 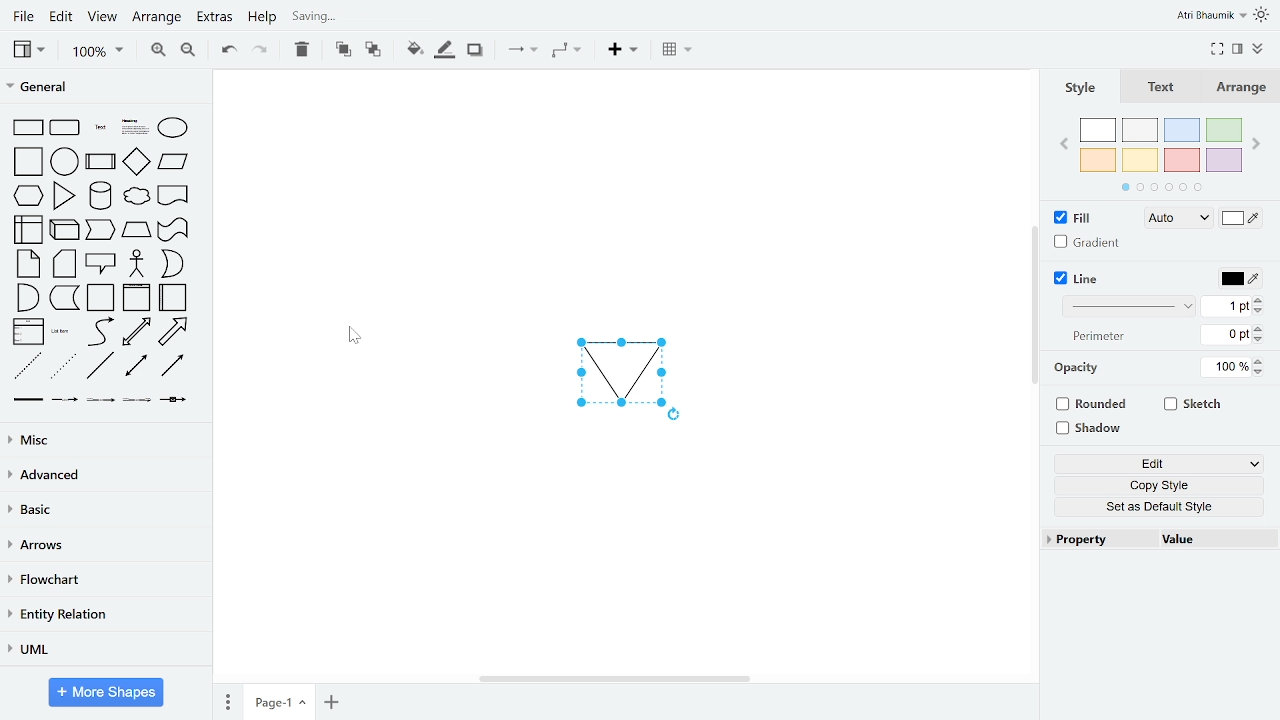 What do you see at coordinates (1226, 307) in the screenshot?
I see `current line width` at bounding box center [1226, 307].